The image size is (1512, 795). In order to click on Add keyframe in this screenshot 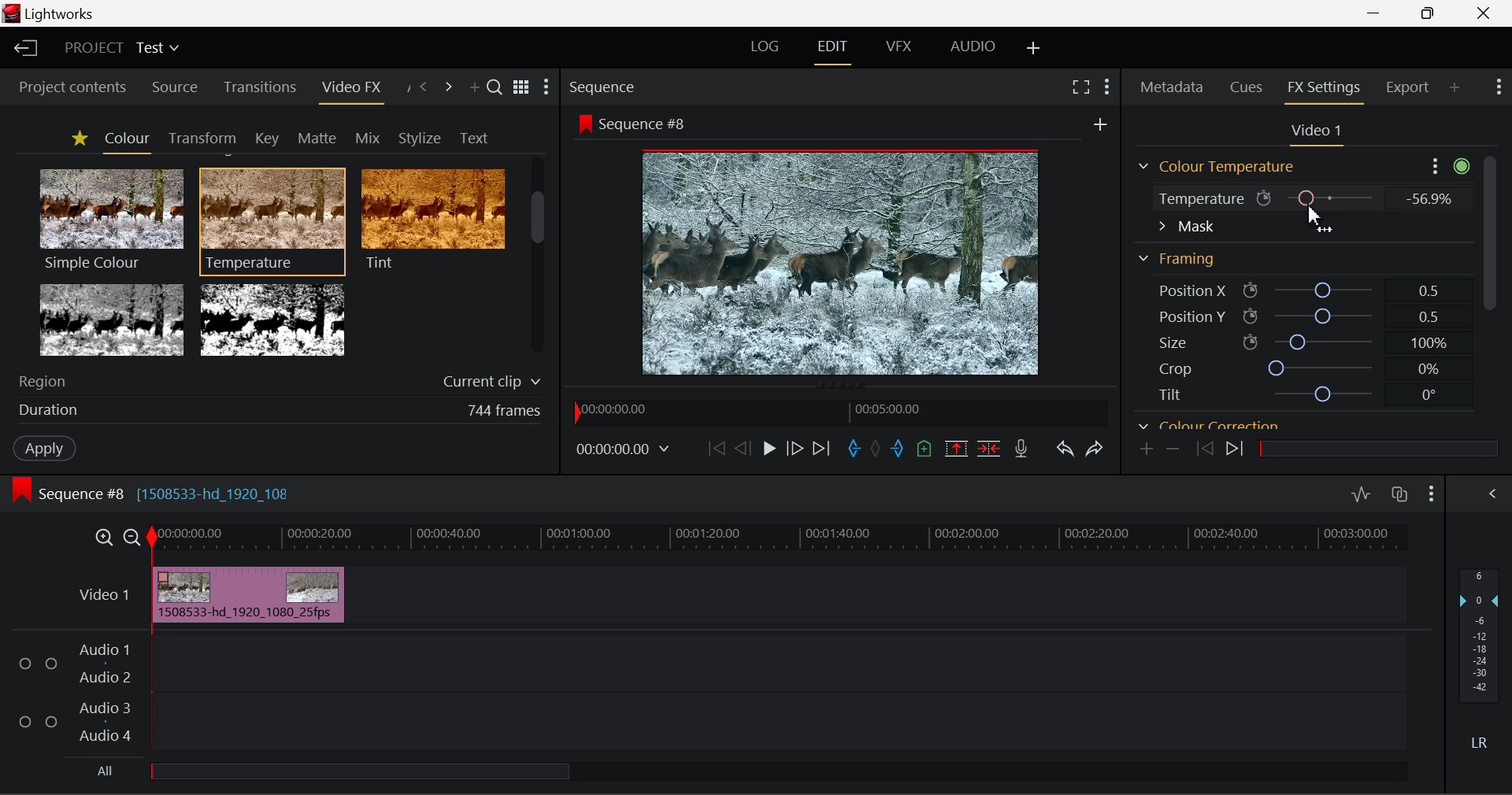, I will do `click(1147, 449)`.